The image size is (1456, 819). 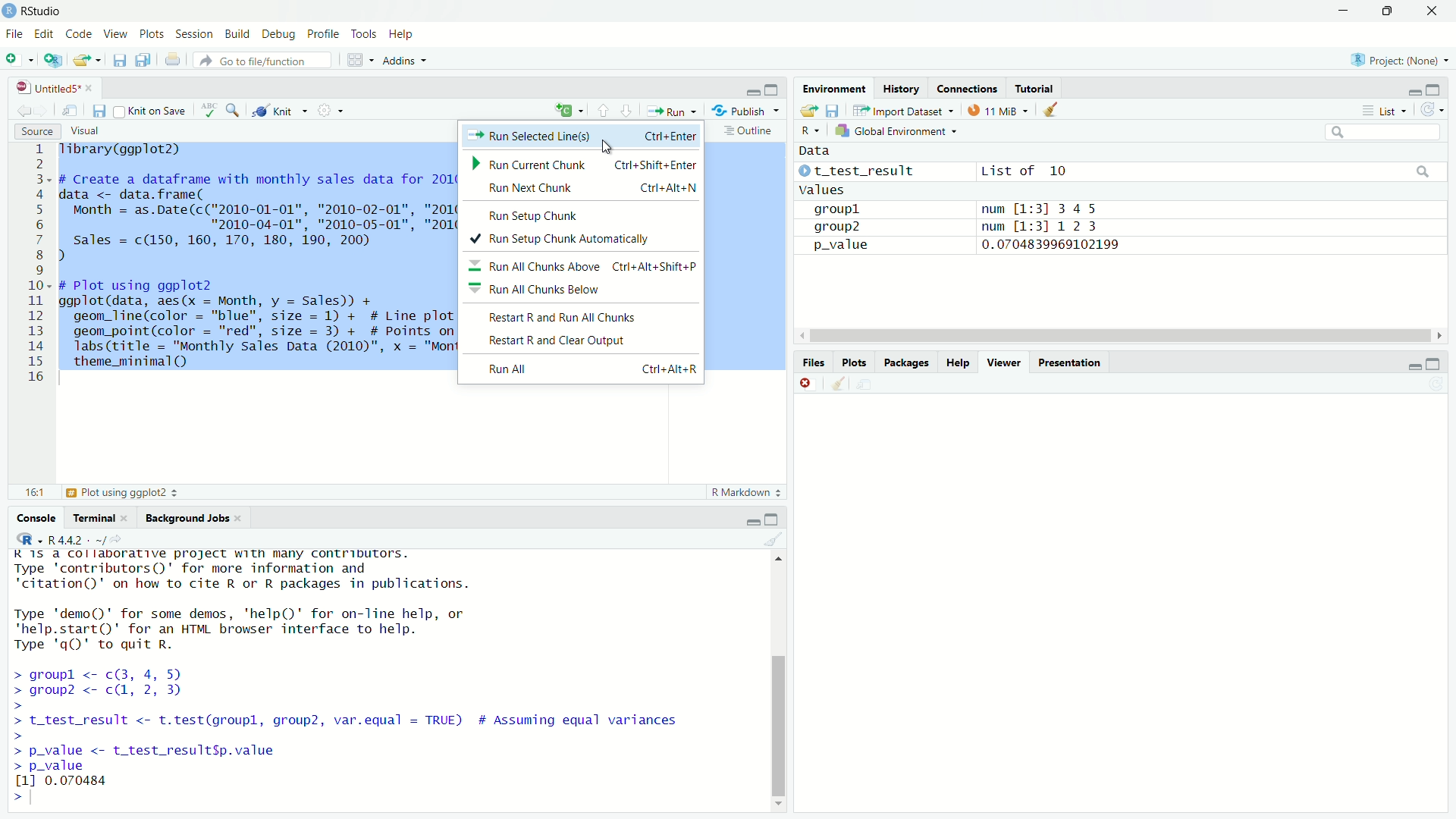 I want to click on Run Setup Chunk Automatically, so click(x=574, y=240).